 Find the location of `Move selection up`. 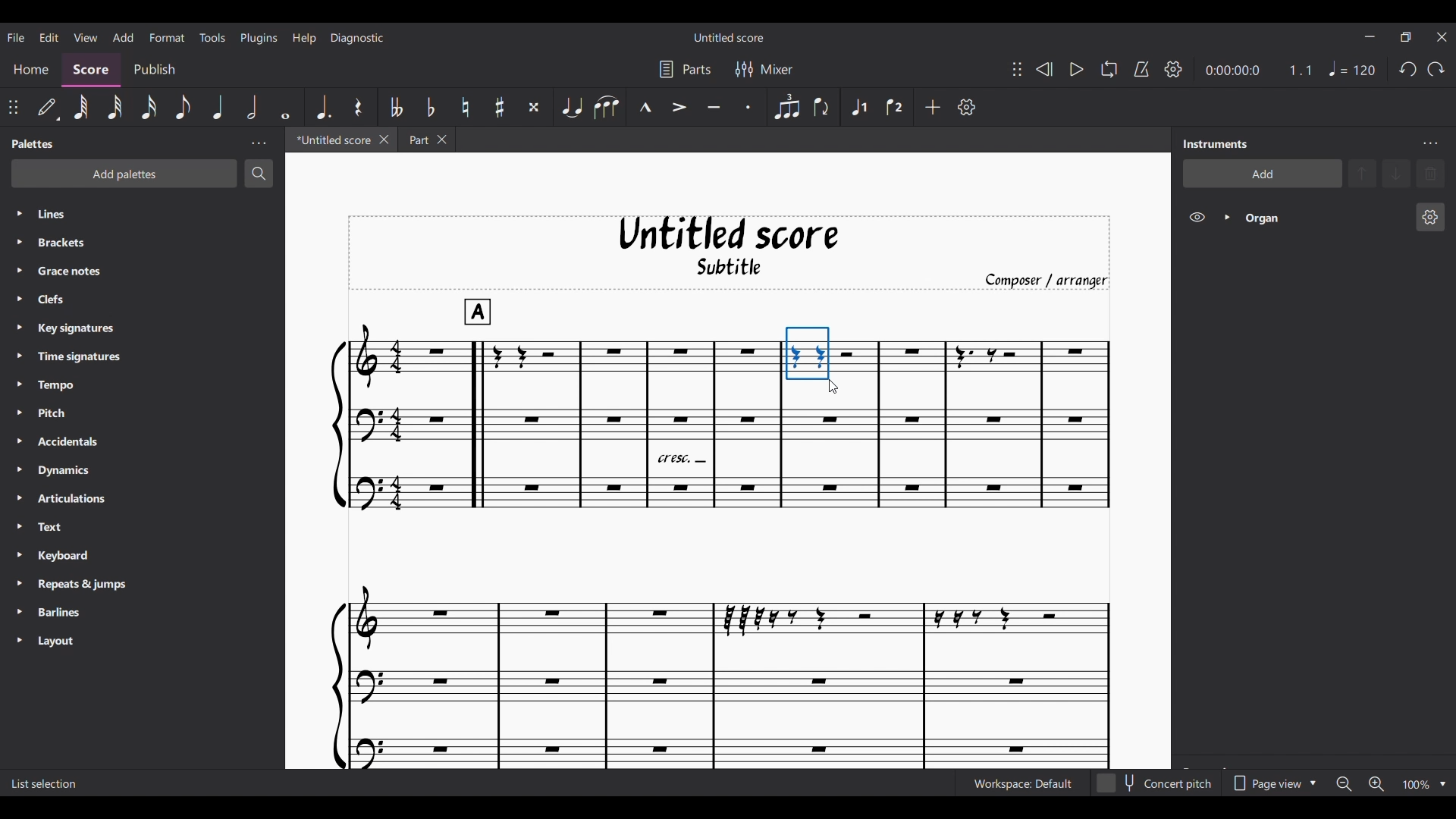

Move selection up is located at coordinates (1363, 173).